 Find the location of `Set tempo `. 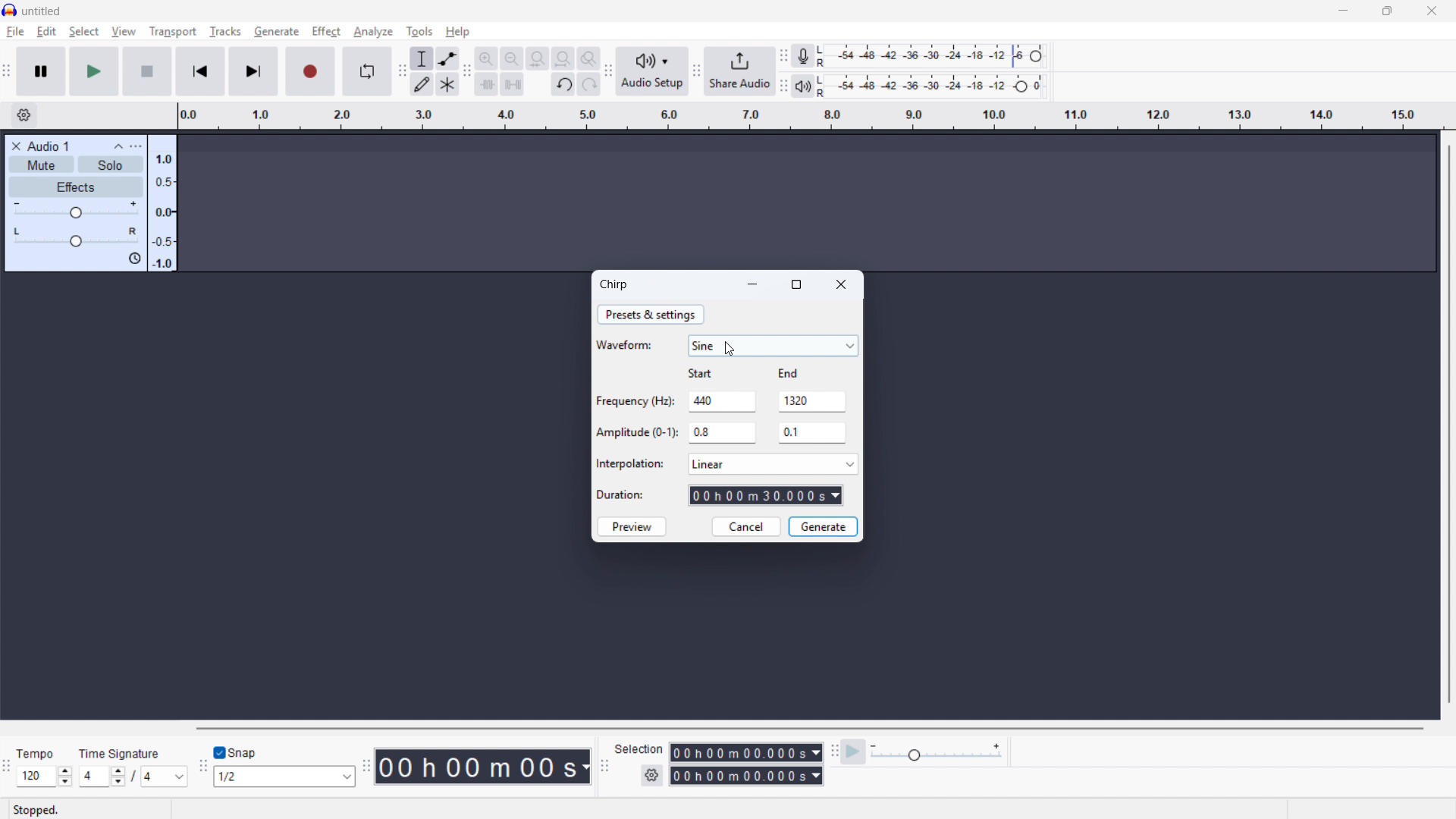

Set tempo  is located at coordinates (44, 777).